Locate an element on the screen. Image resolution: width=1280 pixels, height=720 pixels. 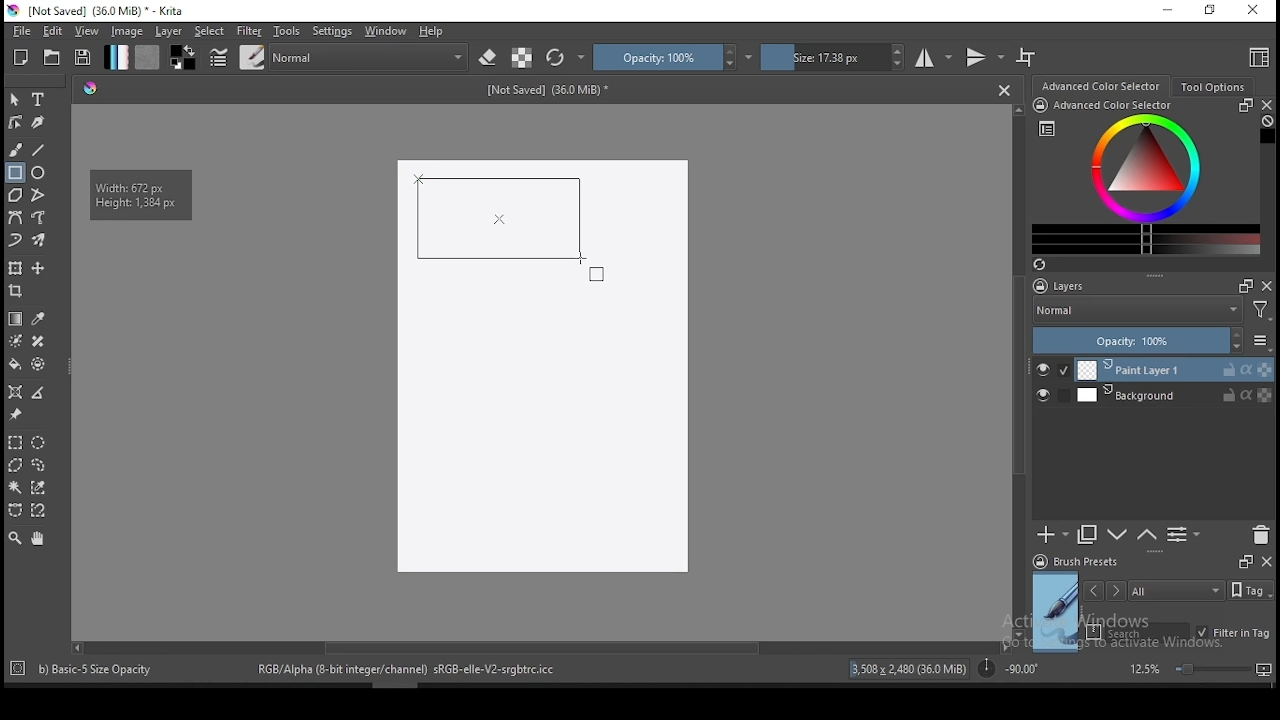
tools is located at coordinates (287, 31).